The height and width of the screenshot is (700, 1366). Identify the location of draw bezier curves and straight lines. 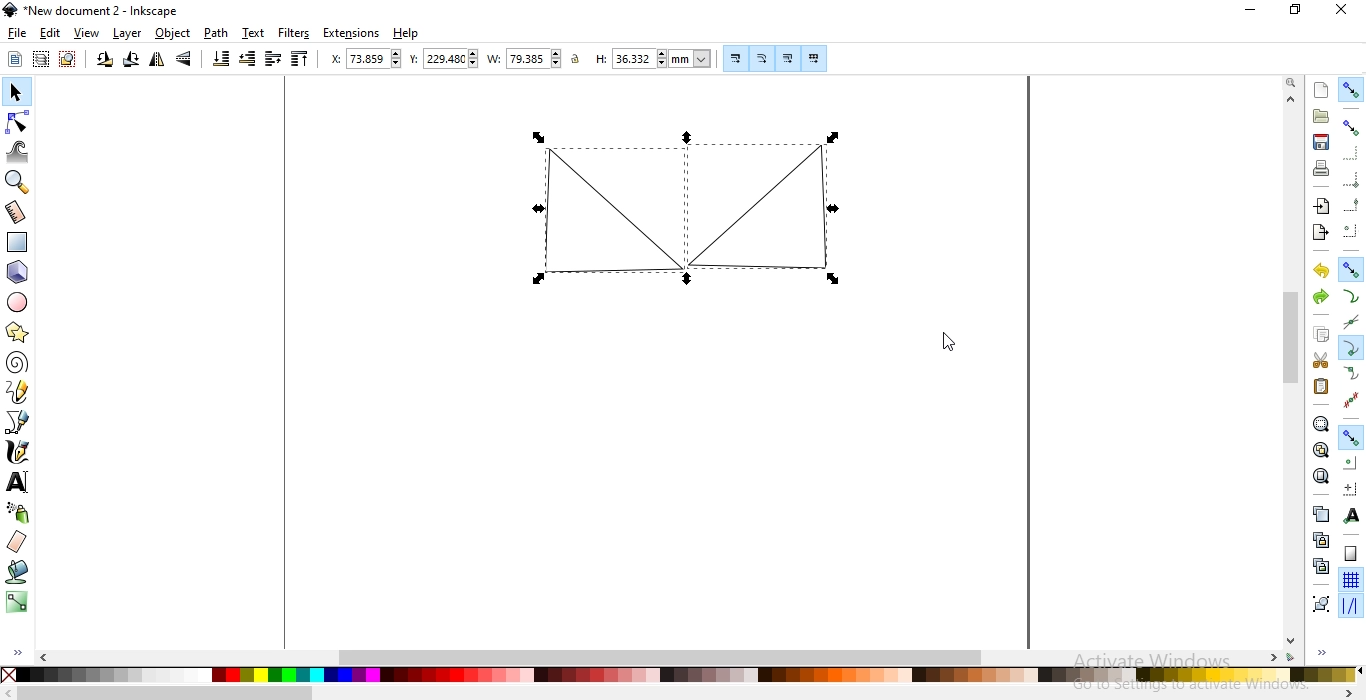
(19, 424).